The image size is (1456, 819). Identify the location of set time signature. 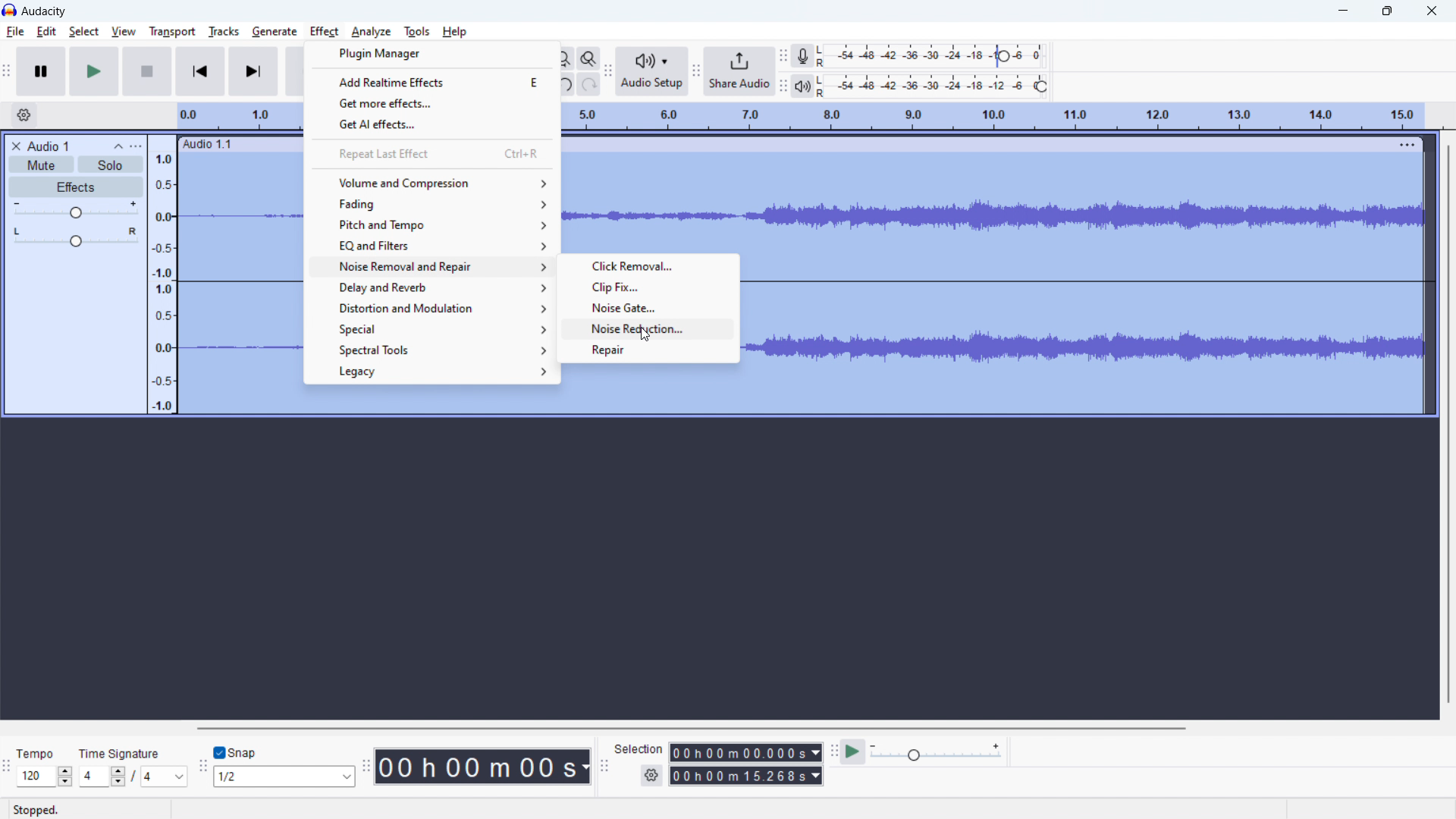
(133, 767).